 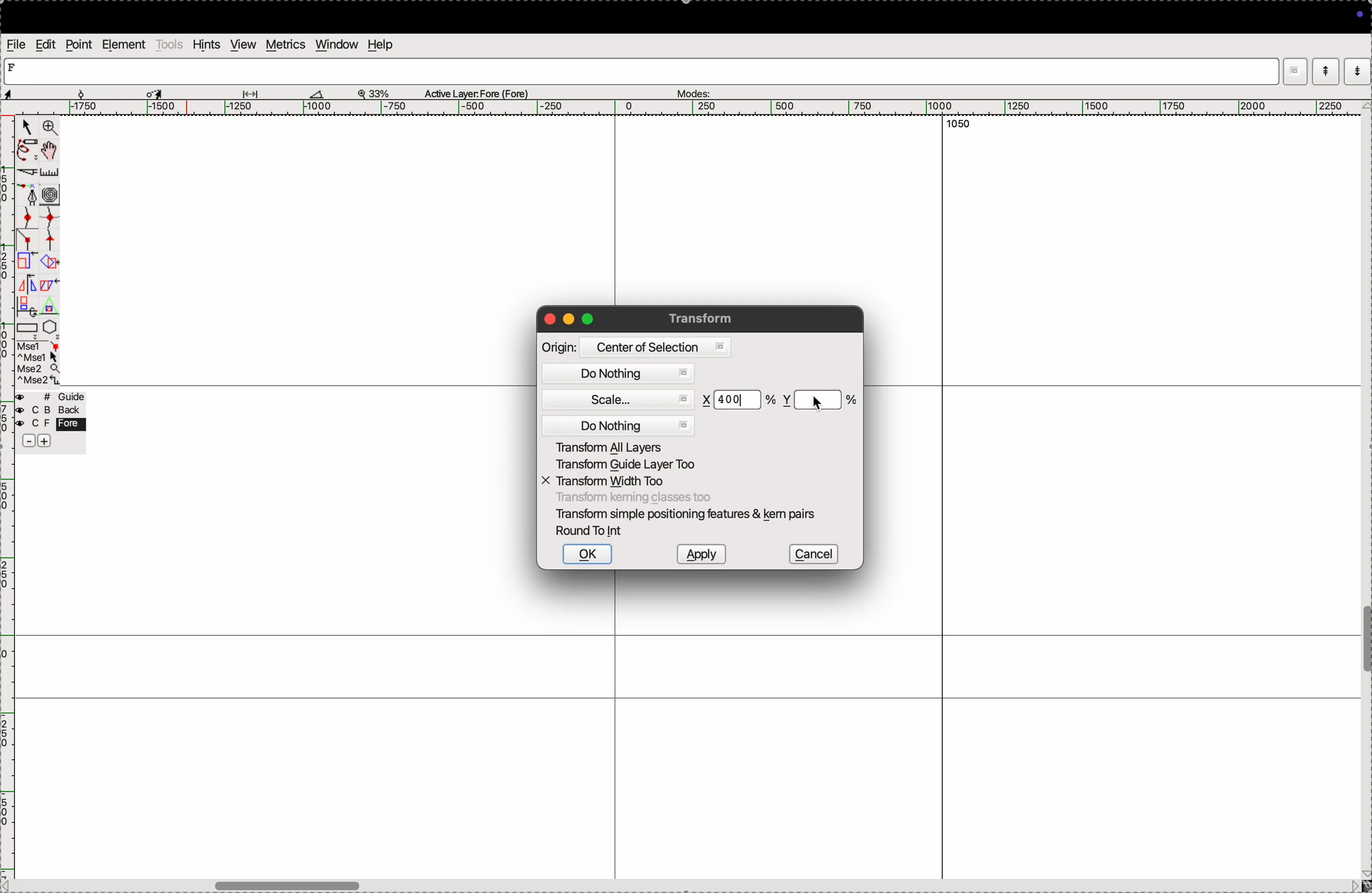 What do you see at coordinates (620, 425) in the screenshot?
I see `do nothing` at bounding box center [620, 425].